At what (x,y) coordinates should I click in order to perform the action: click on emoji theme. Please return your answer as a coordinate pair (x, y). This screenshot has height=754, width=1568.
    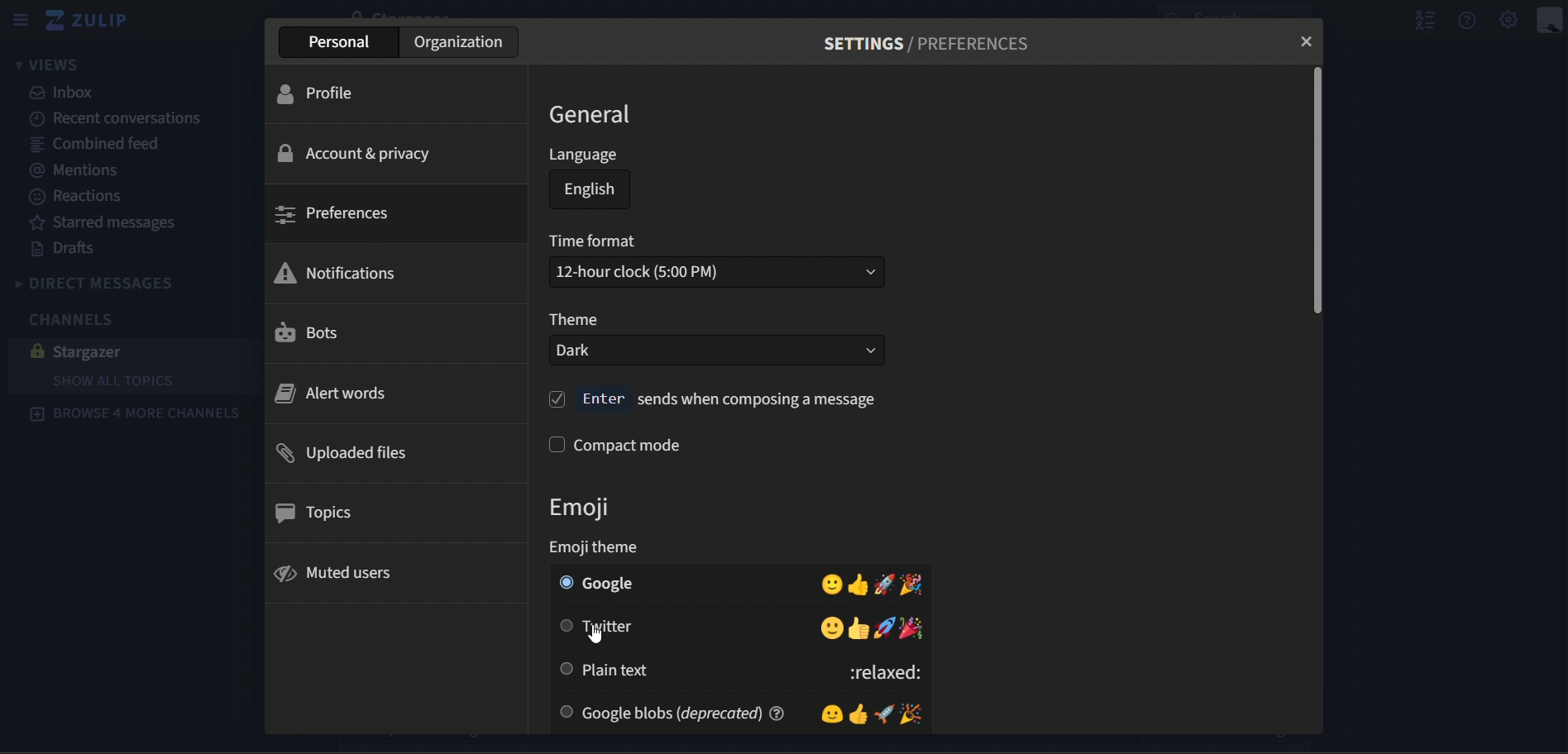
    Looking at the image, I should click on (604, 548).